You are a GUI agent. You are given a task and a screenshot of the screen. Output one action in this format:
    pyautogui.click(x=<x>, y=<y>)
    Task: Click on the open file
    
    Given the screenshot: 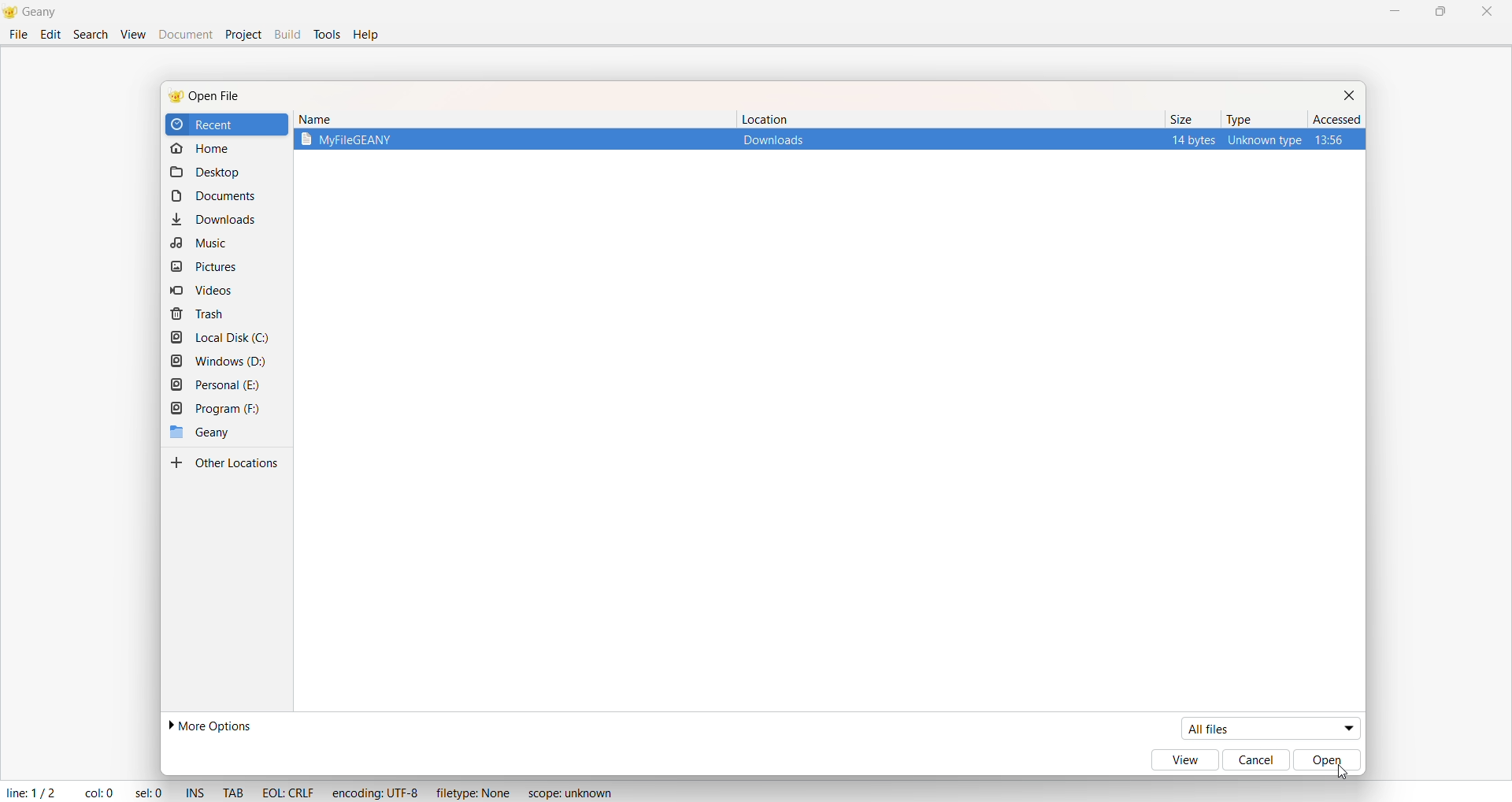 What is the action you would take?
    pyautogui.click(x=219, y=97)
    